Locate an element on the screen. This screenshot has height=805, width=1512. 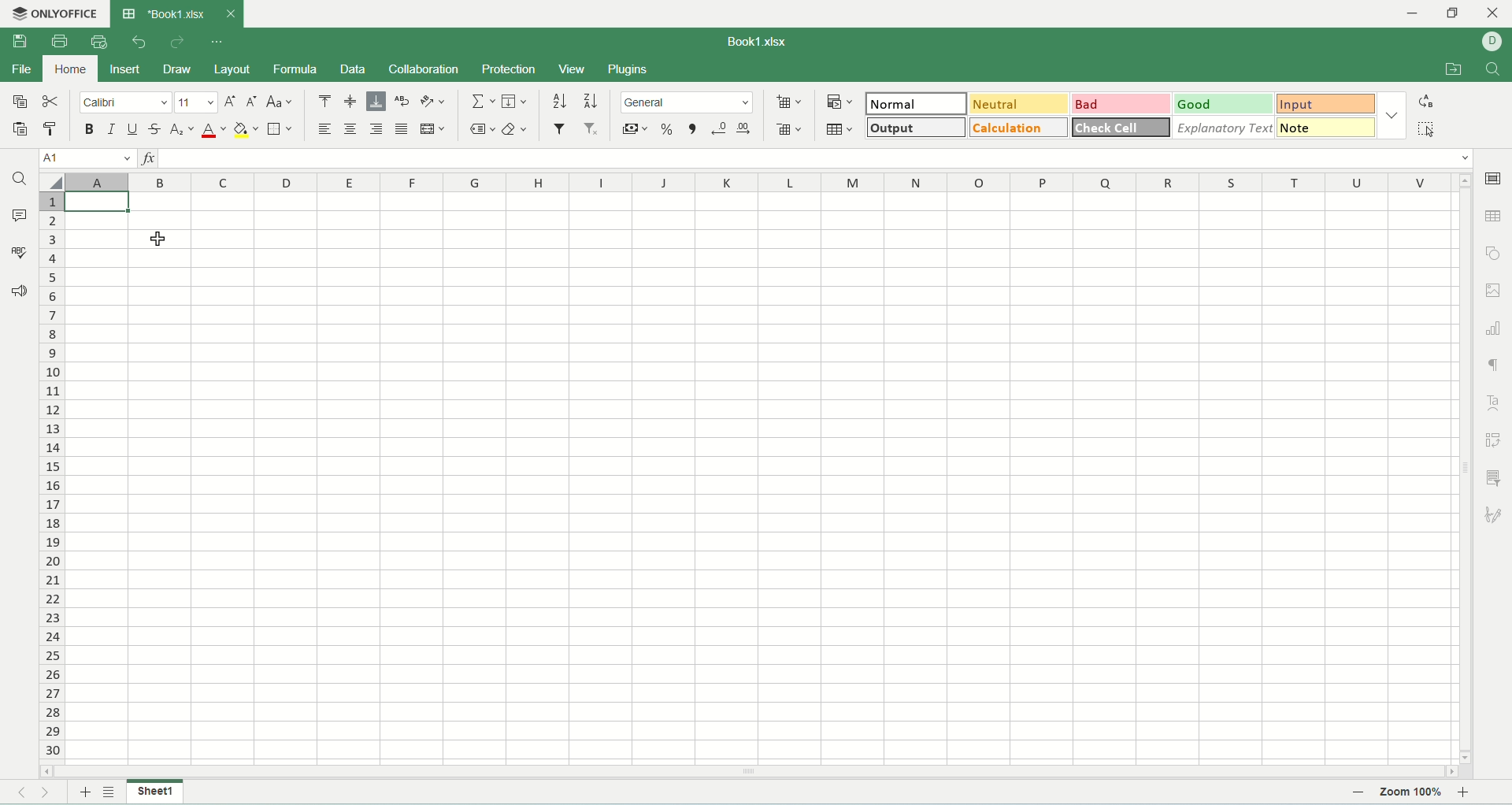
align center is located at coordinates (351, 129).